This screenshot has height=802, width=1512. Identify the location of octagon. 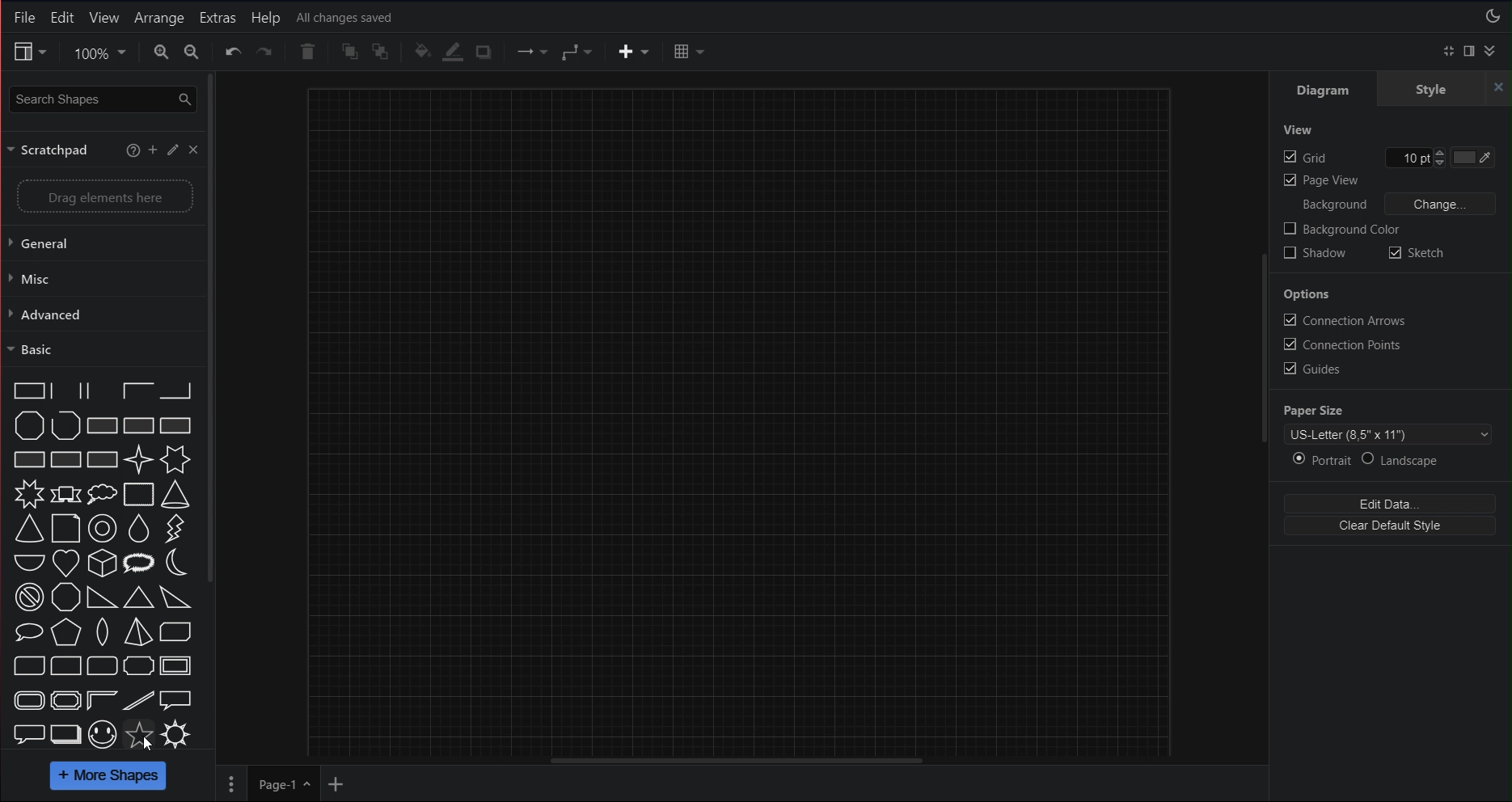
(65, 597).